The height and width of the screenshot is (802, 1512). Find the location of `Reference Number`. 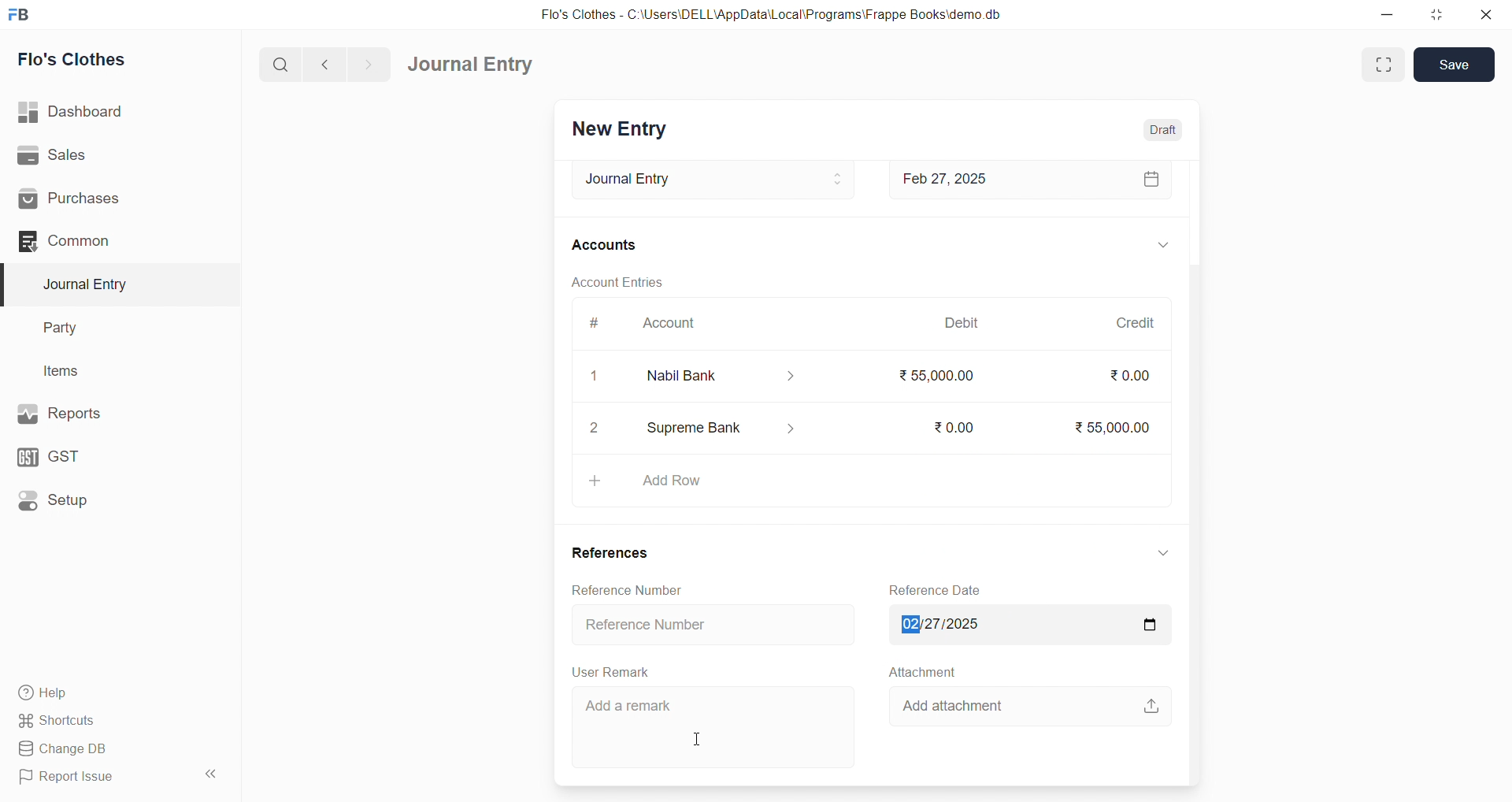

Reference Number is located at coordinates (627, 589).